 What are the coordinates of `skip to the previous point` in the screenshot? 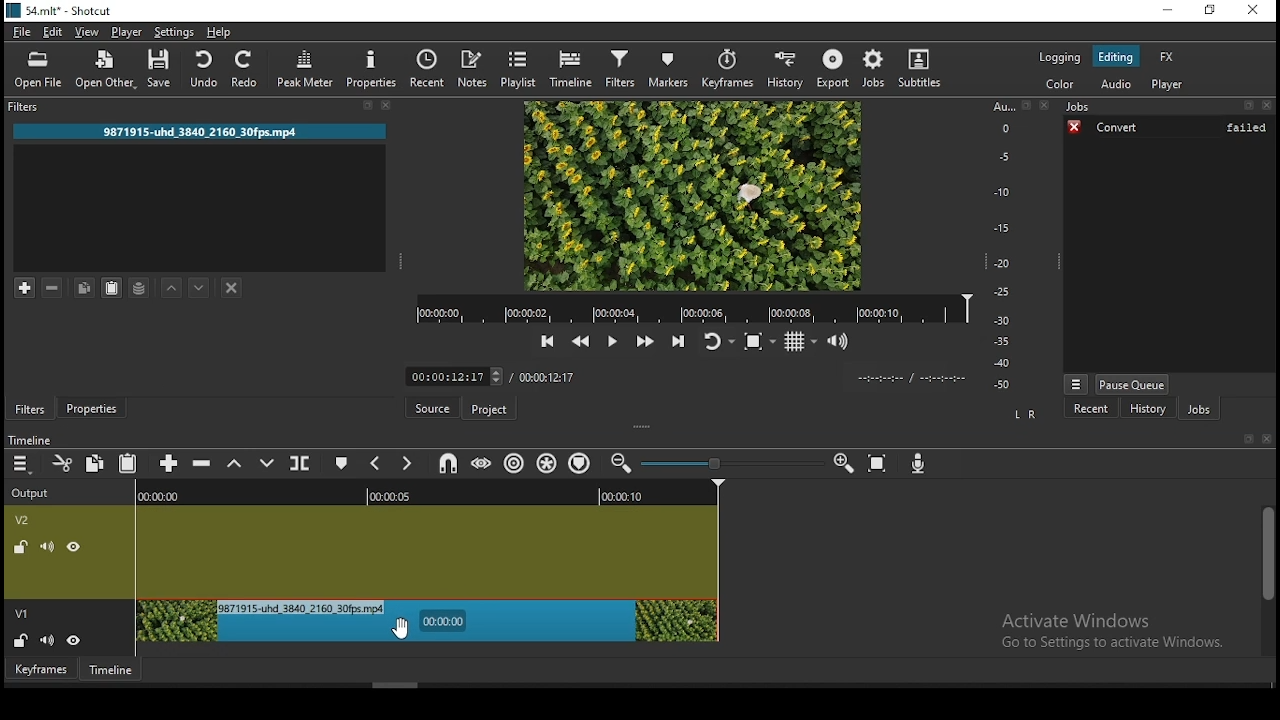 It's located at (547, 342).